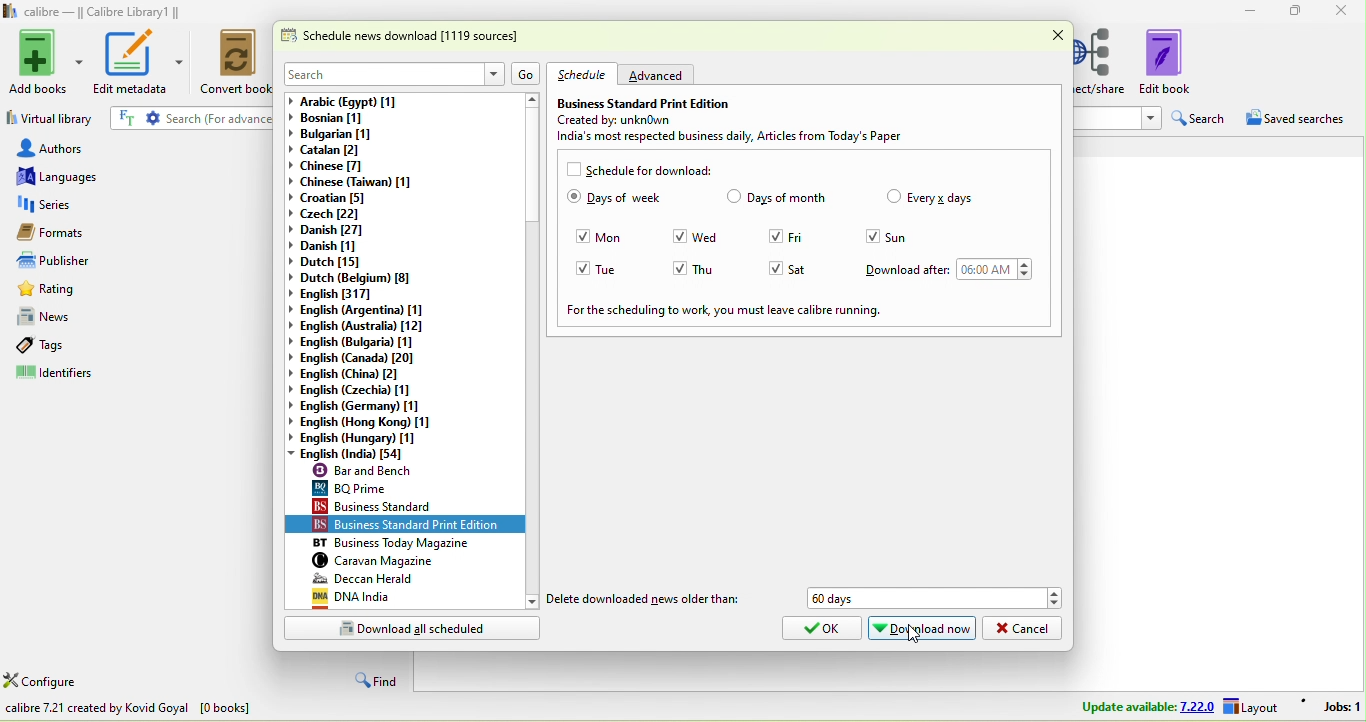 The image size is (1366, 722). Describe the element at coordinates (893, 196) in the screenshot. I see `Checkbox` at that location.